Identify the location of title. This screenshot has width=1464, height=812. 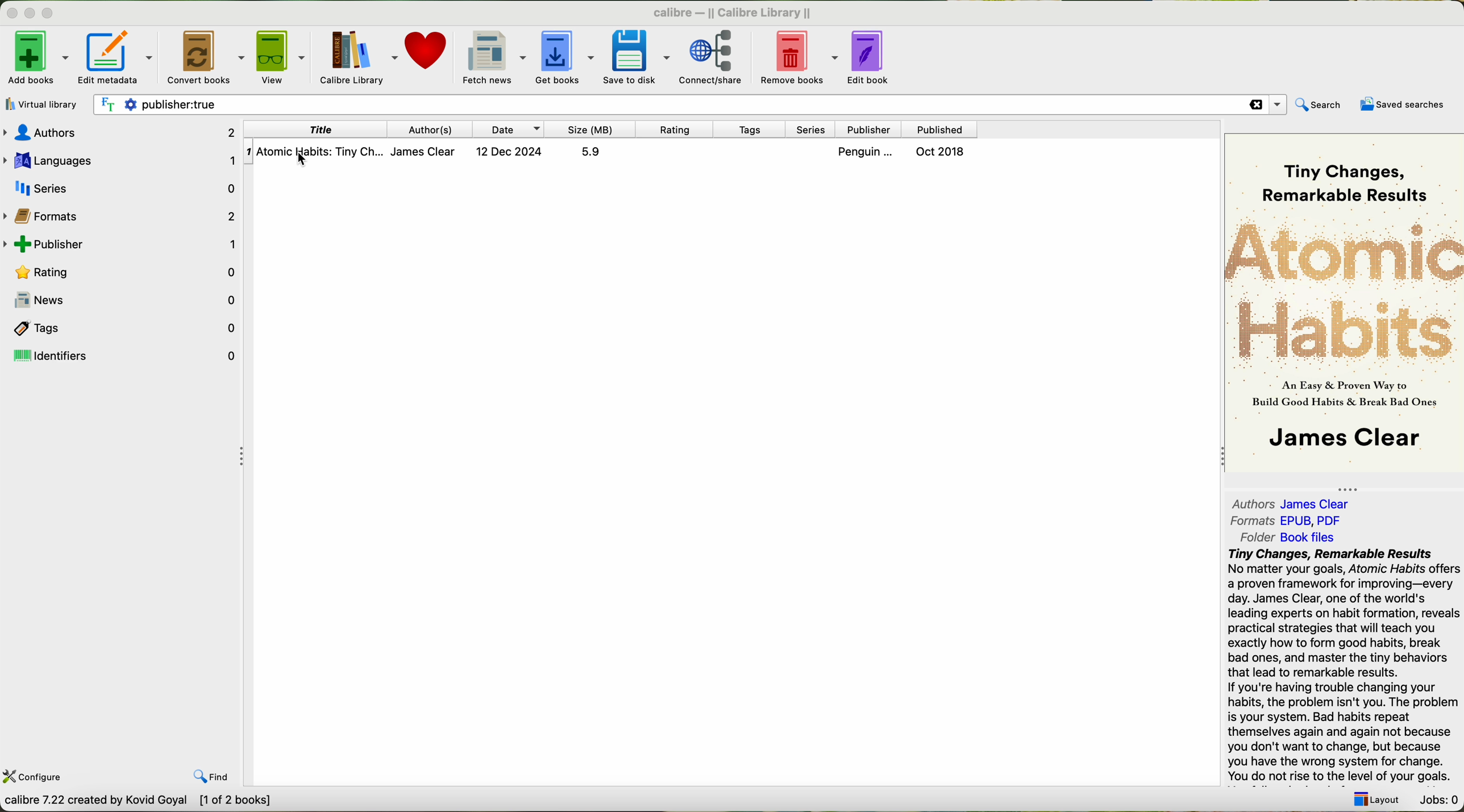
(314, 130).